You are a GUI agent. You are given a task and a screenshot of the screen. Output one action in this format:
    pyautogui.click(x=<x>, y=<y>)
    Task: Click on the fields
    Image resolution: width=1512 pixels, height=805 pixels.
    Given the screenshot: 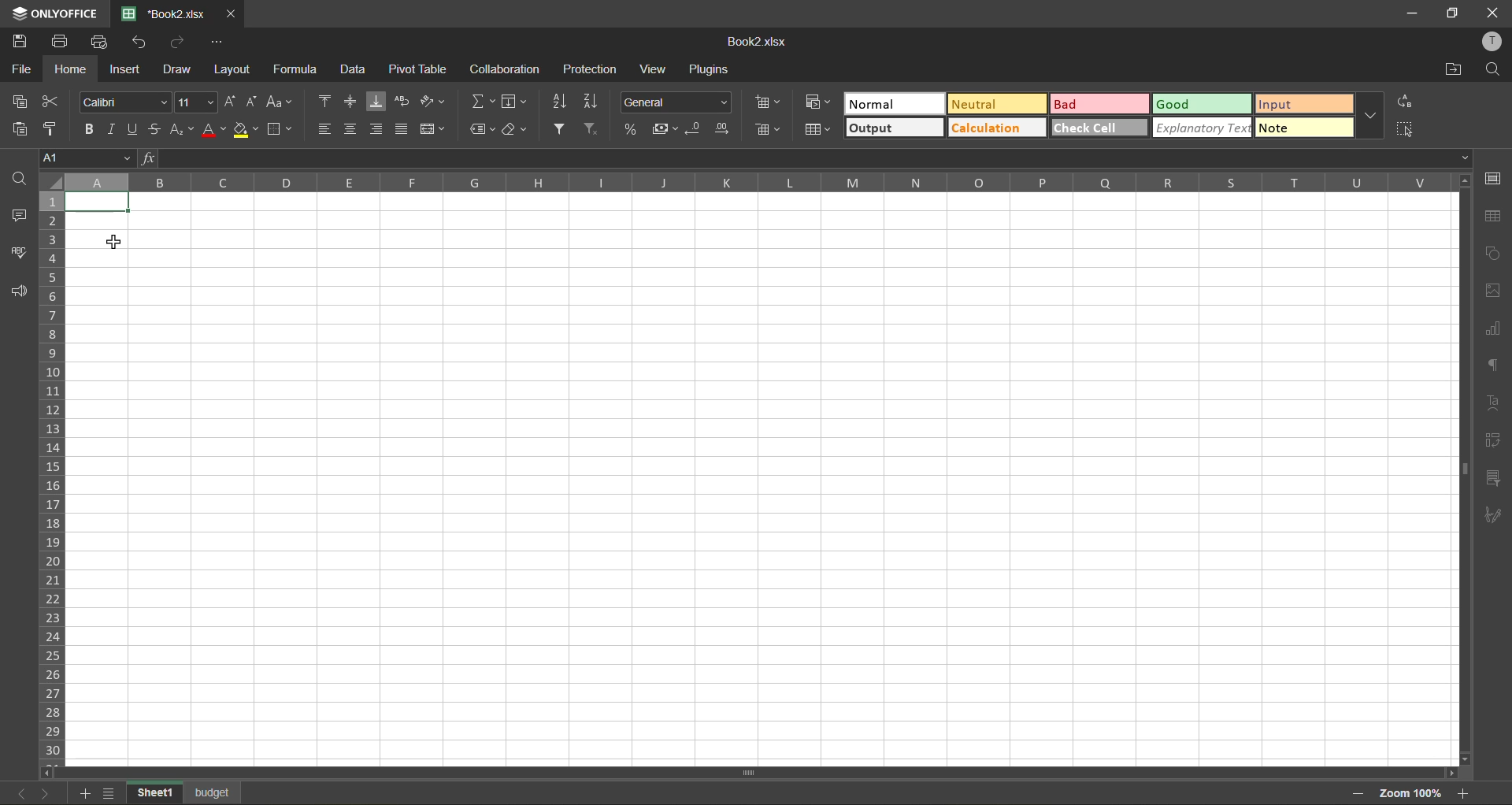 What is the action you would take?
    pyautogui.click(x=513, y=102)
    